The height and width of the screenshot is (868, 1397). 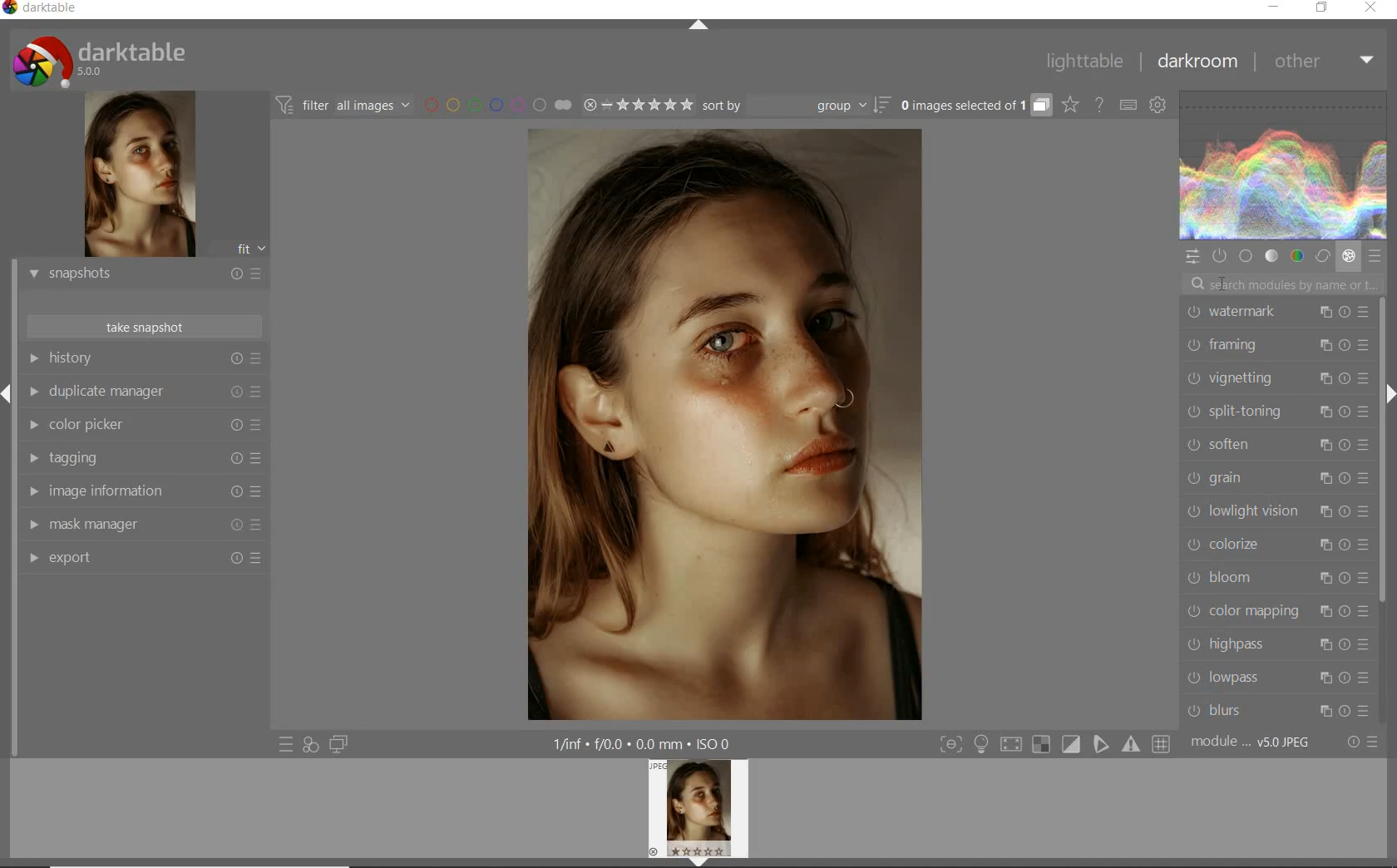 What do you see at coordinates (142, 360) in the screenshot?
I see `history` at bounding box center [142, 360].